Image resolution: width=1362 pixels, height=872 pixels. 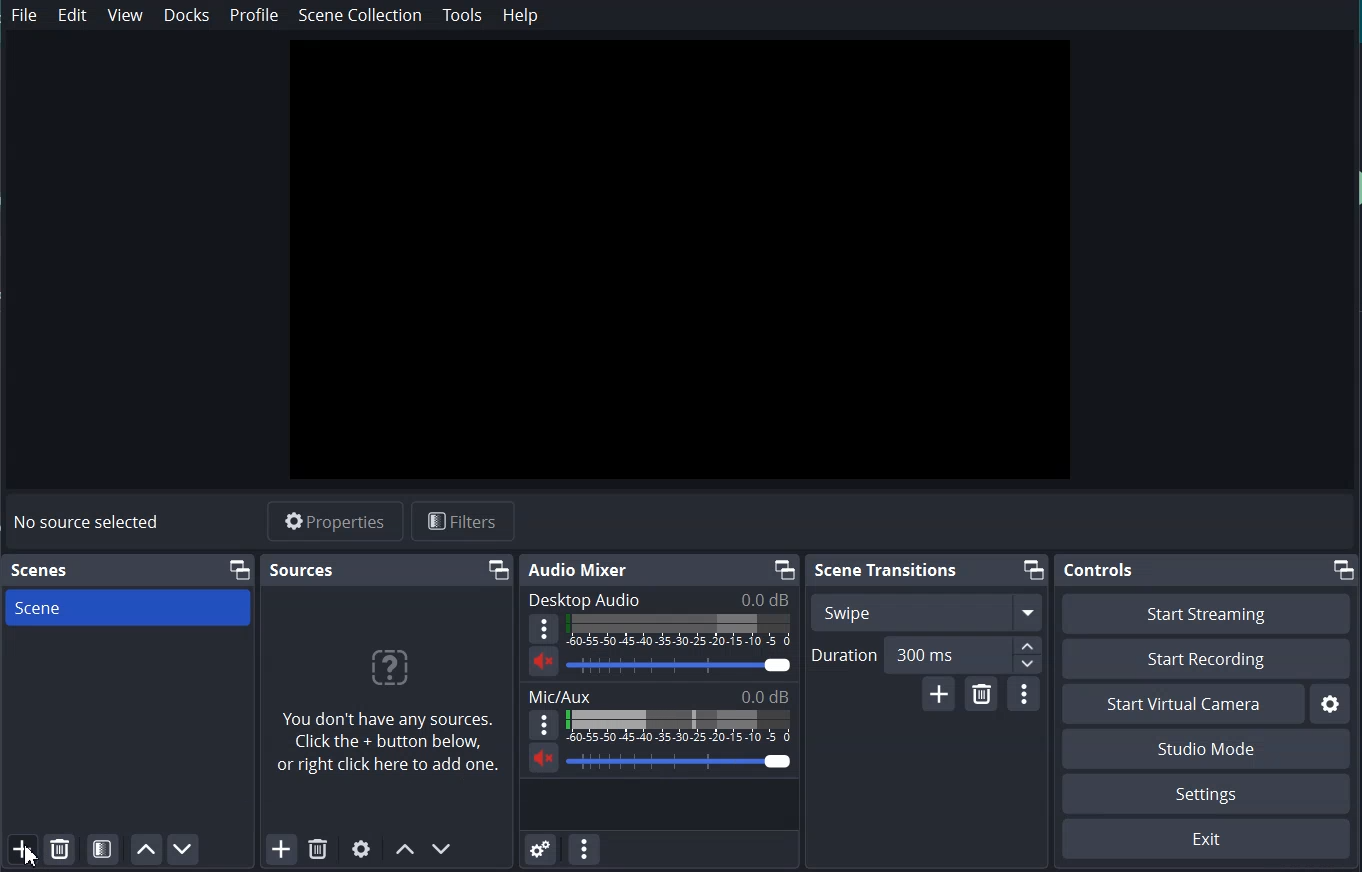 I want to click on Settings, so click(x=1330, y=703).